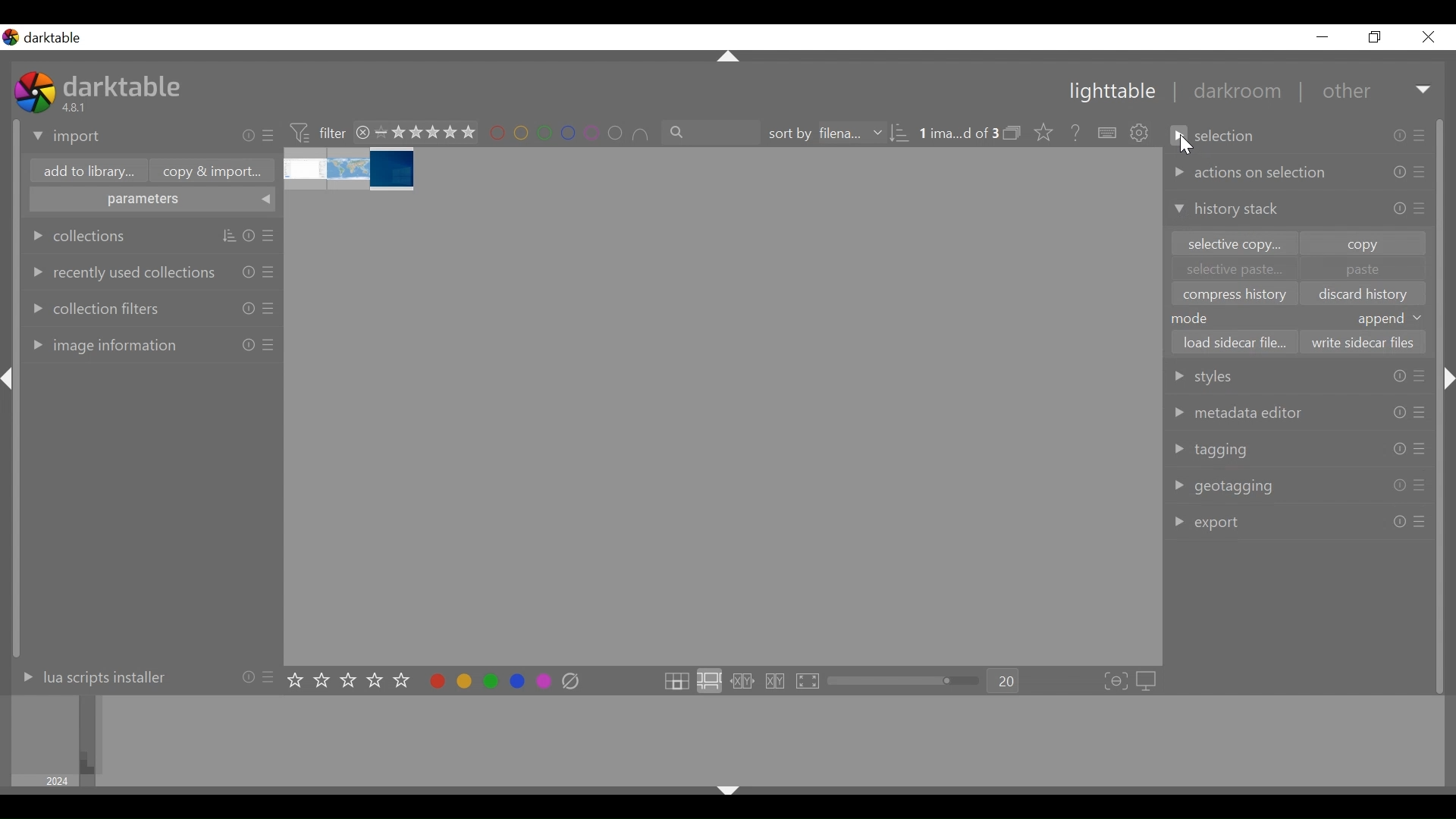 The height and width of the screenshot is (819, 1456). What do you see at coordinates (823, 133) in the screenshot?
I see `sort by` at bounding box center [823, 133].